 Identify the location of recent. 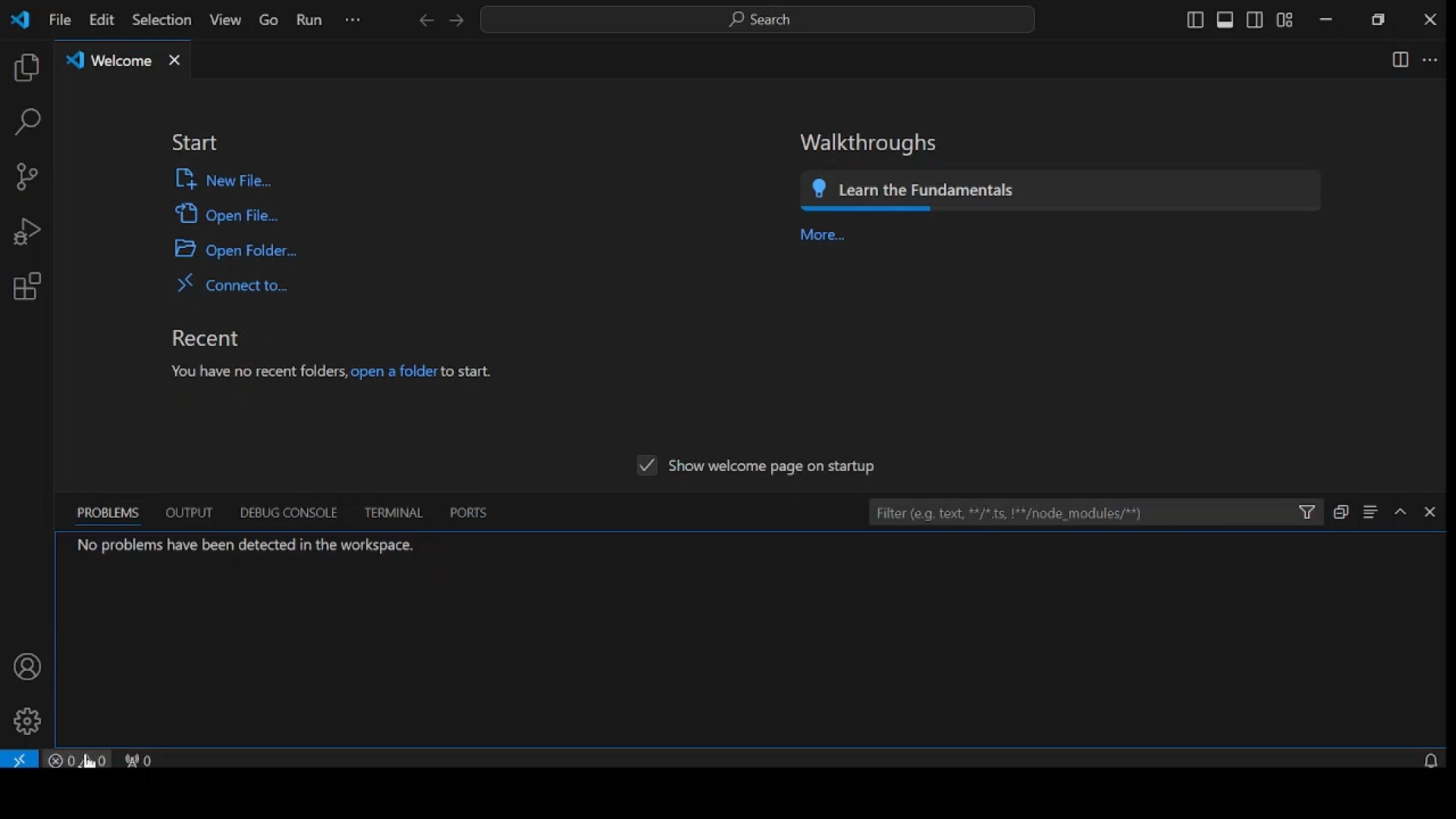
(206, 336).